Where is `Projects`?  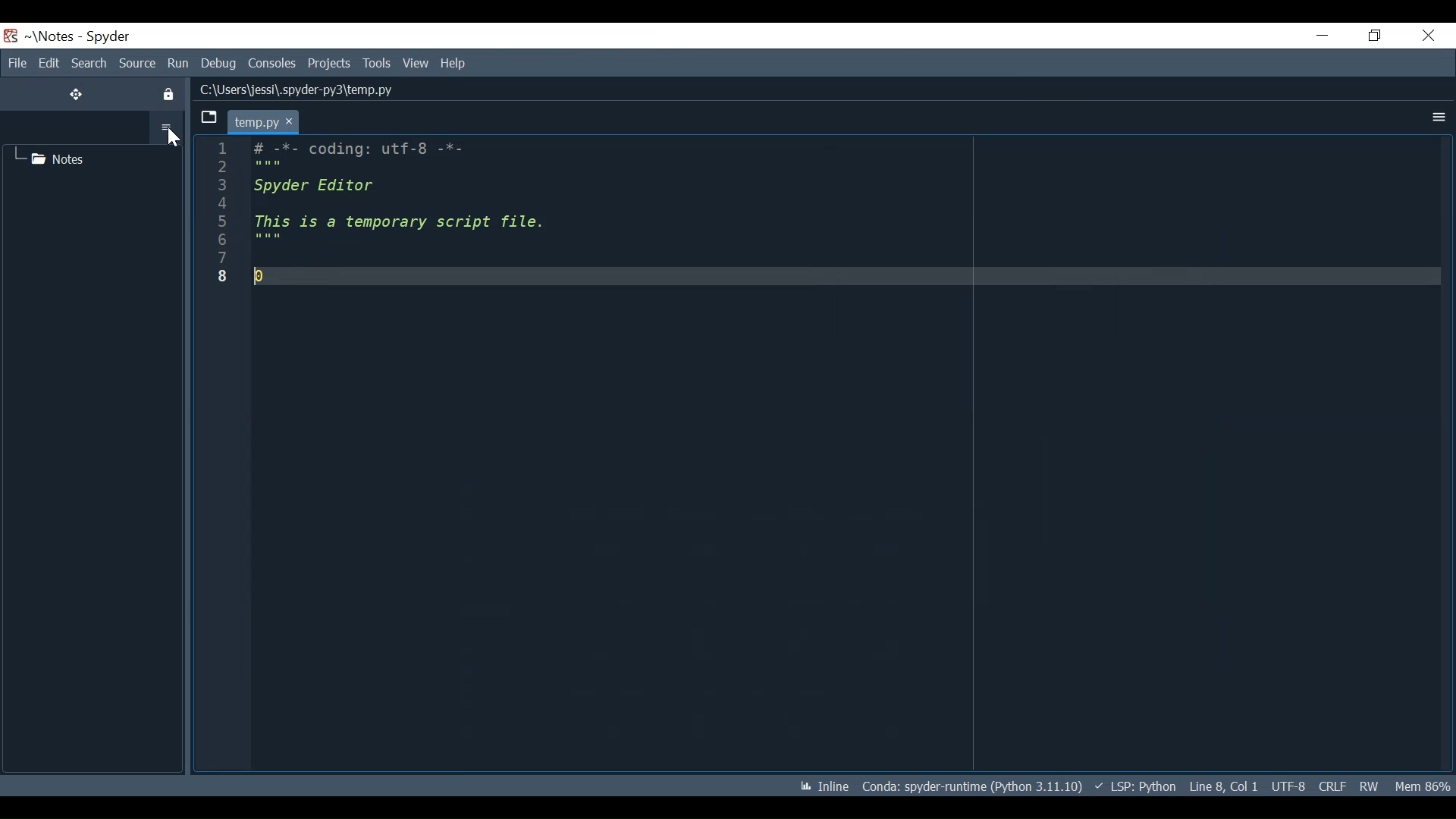 Projects is located at coordinates (330, 64).